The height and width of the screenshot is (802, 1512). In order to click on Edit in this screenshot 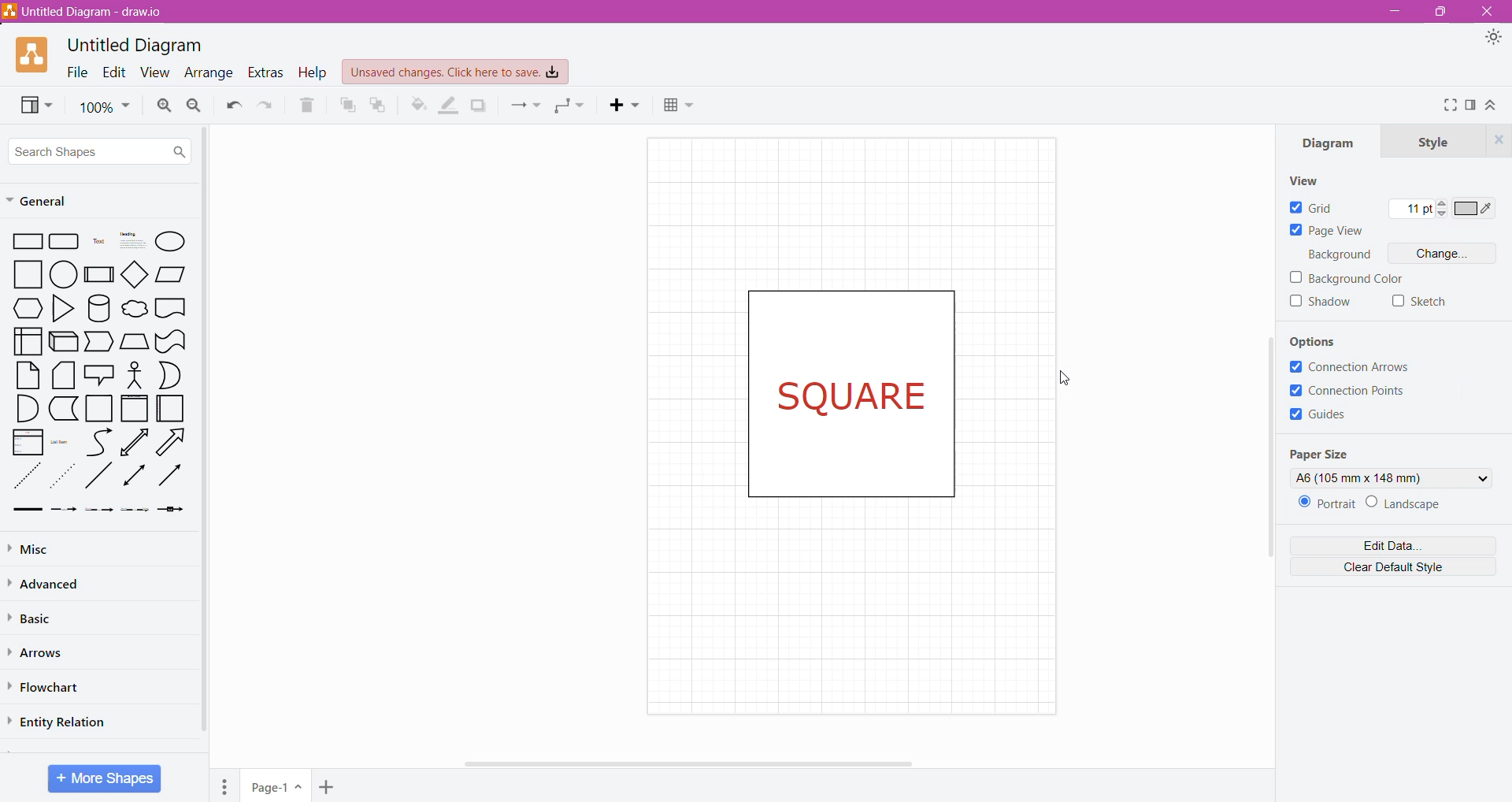, I will do `click(115, 71)`.